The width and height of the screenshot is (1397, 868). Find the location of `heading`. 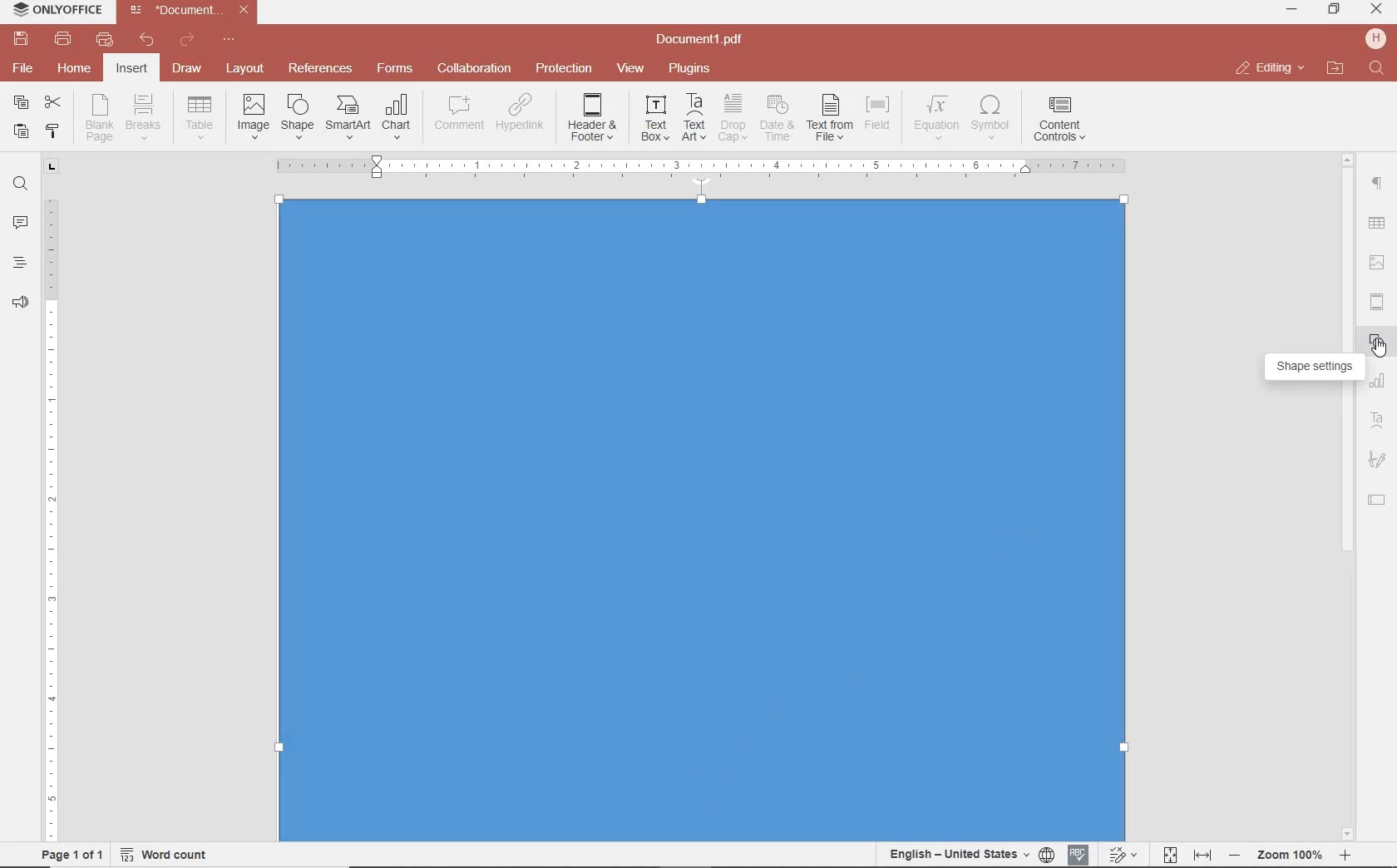

heading is located at coordinates (20, 262).